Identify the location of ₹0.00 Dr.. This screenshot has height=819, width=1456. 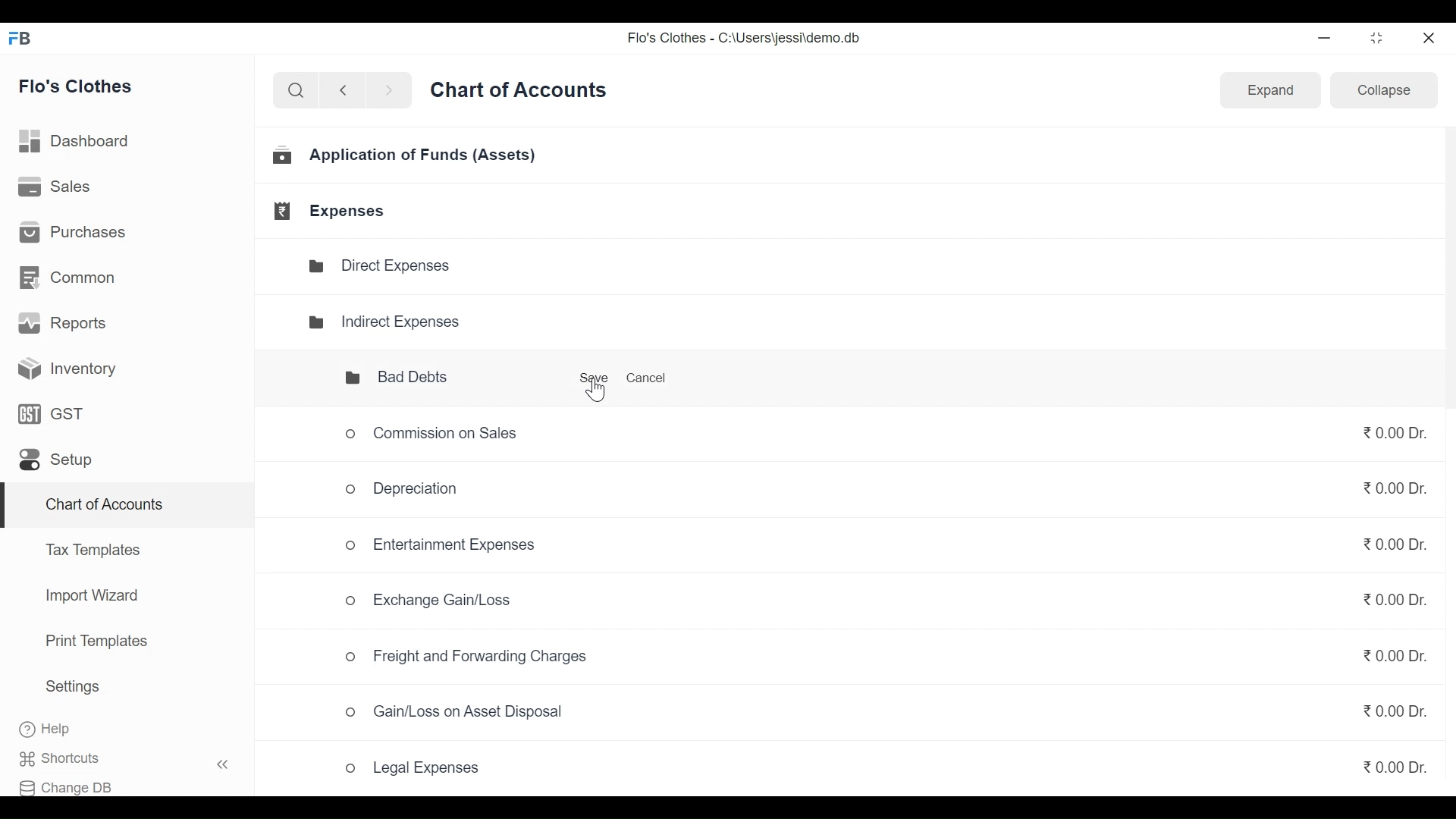
(1396, 545).